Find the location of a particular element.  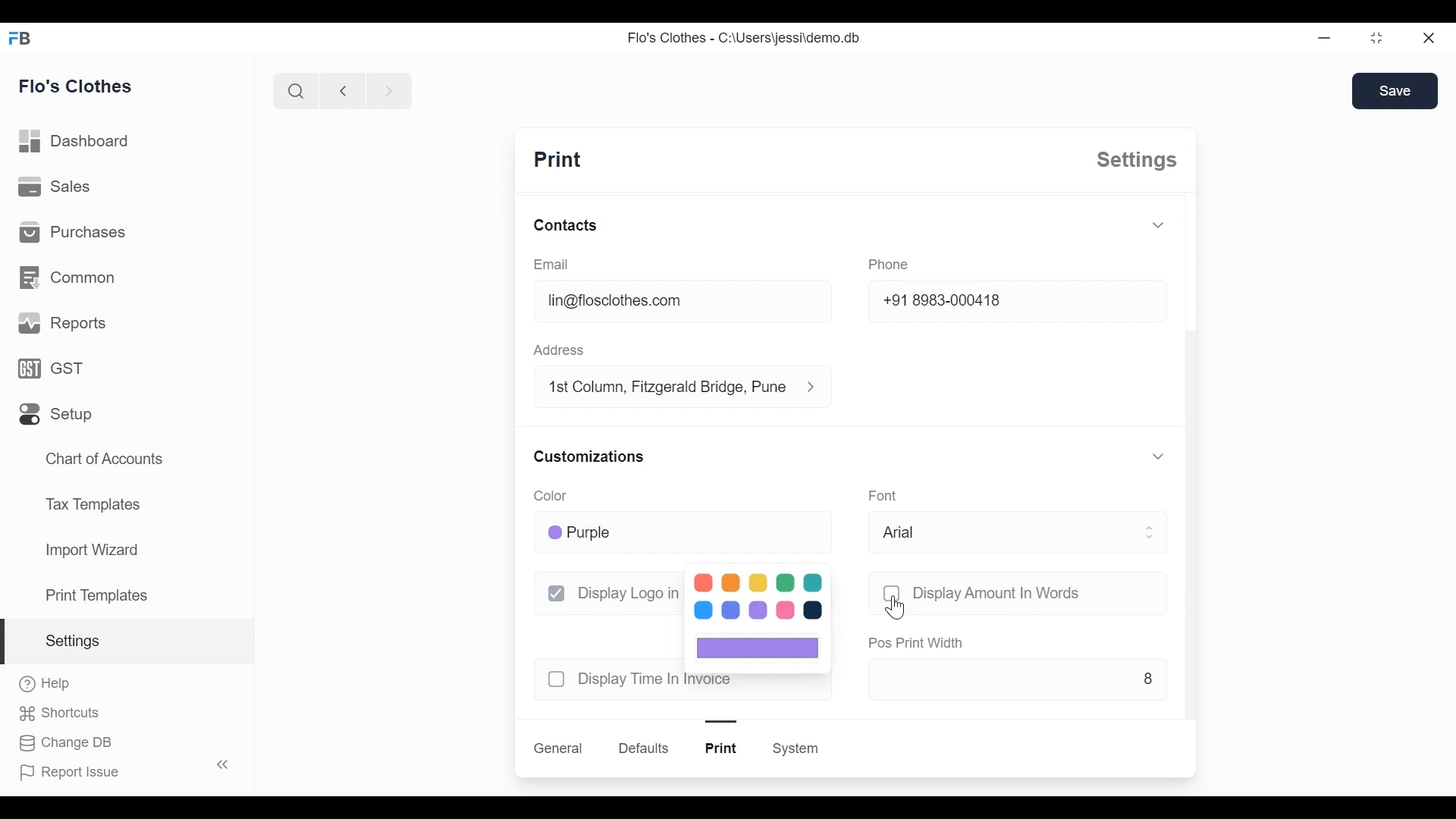

toggle between form and full width is located at coordinates (1377, 38).